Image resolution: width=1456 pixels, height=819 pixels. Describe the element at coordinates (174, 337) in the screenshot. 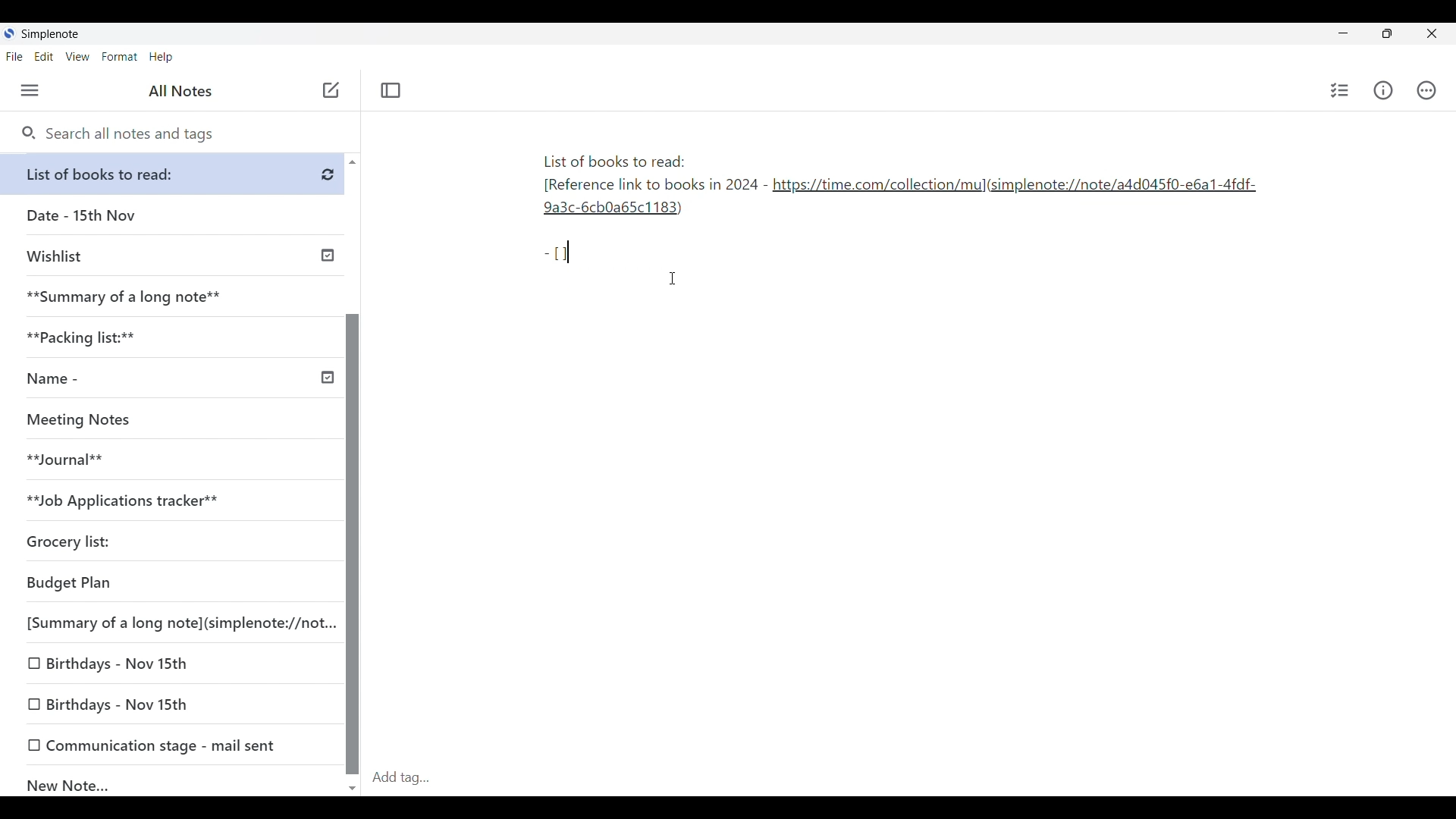

I see `**Packing list:**` at that location.